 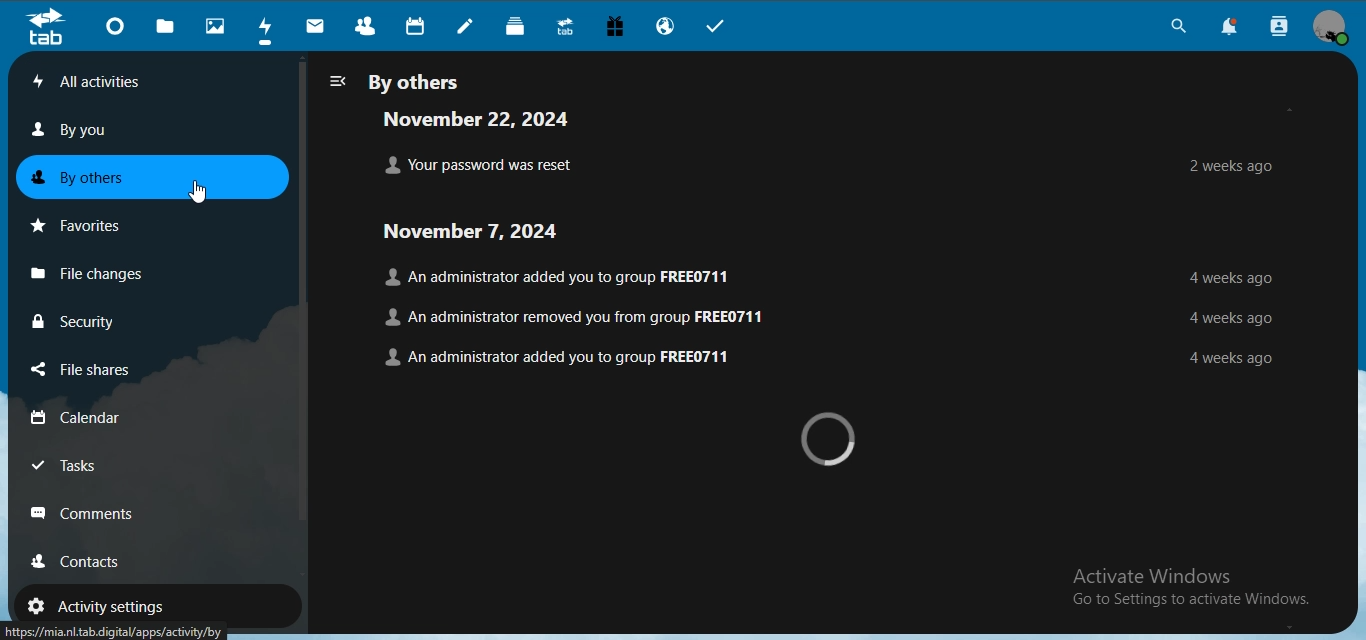 I want to click on by others, so click(x=95, y=175).